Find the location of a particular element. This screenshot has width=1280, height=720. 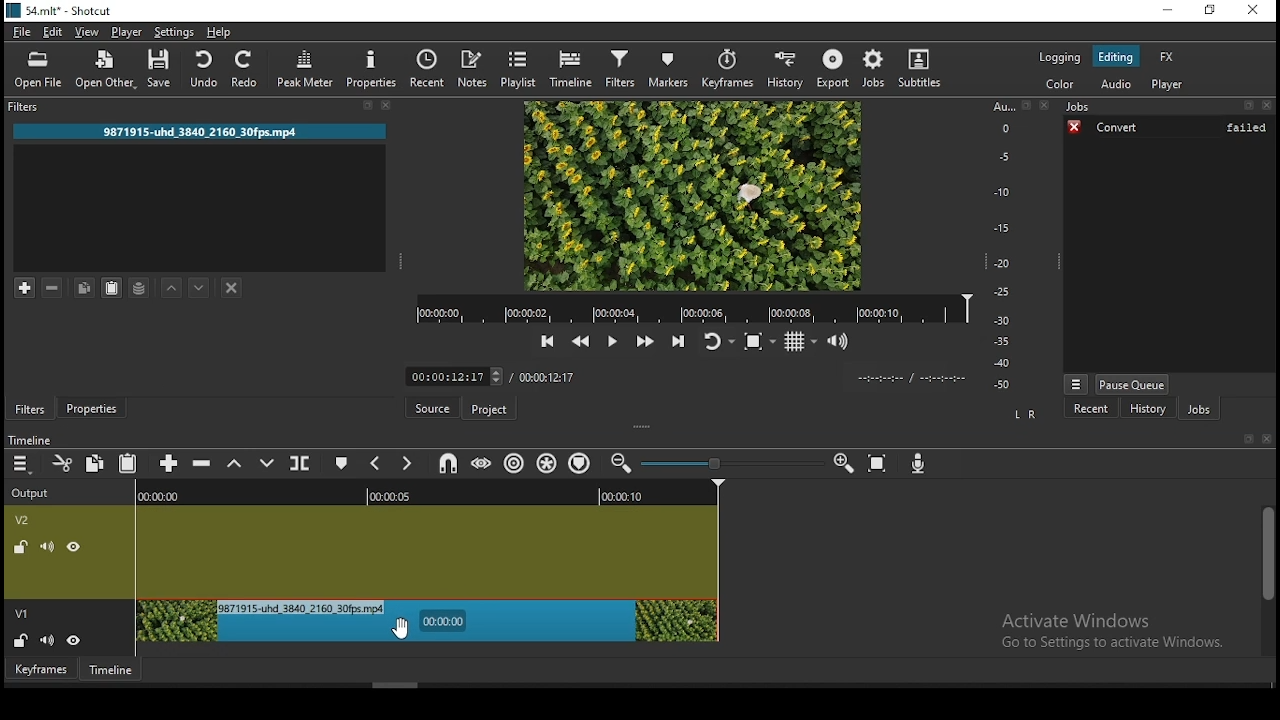

timeline menu is located at coordinates (21, 465).